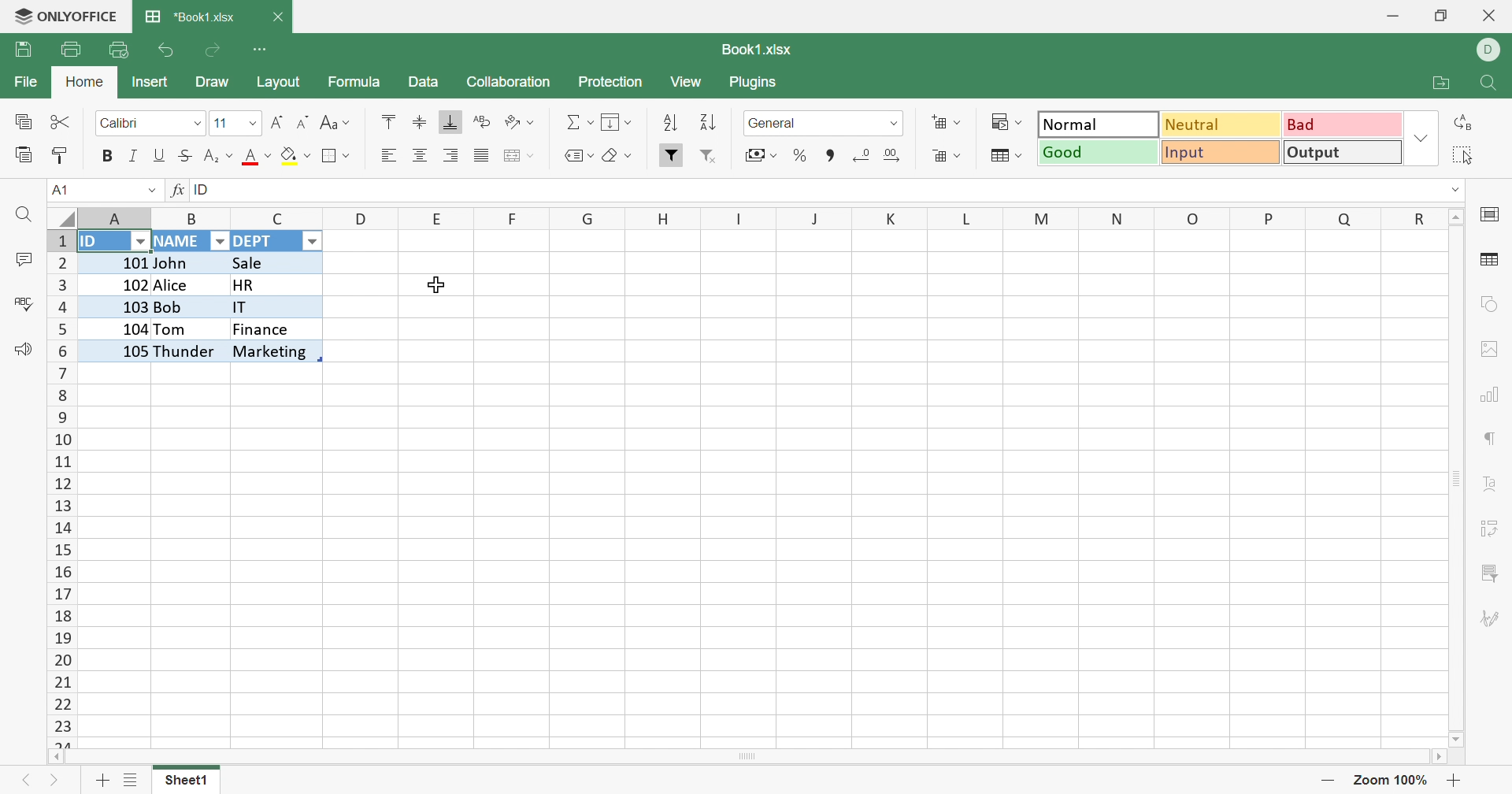 This screenshot has width=1512, height=794. Describe the element at coordinates (67, 17) in the screenshot. I see `ONLYOFFICE` at that location.